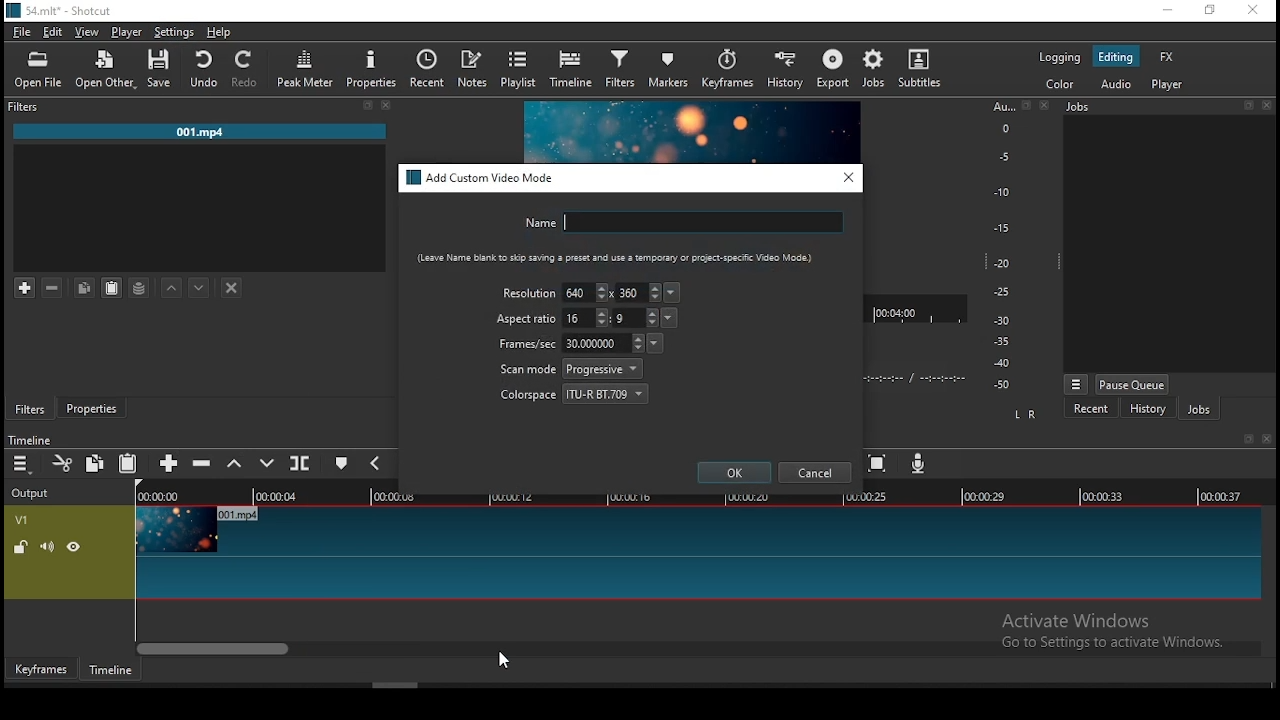  I want to click on recent, so click(1091, 409).